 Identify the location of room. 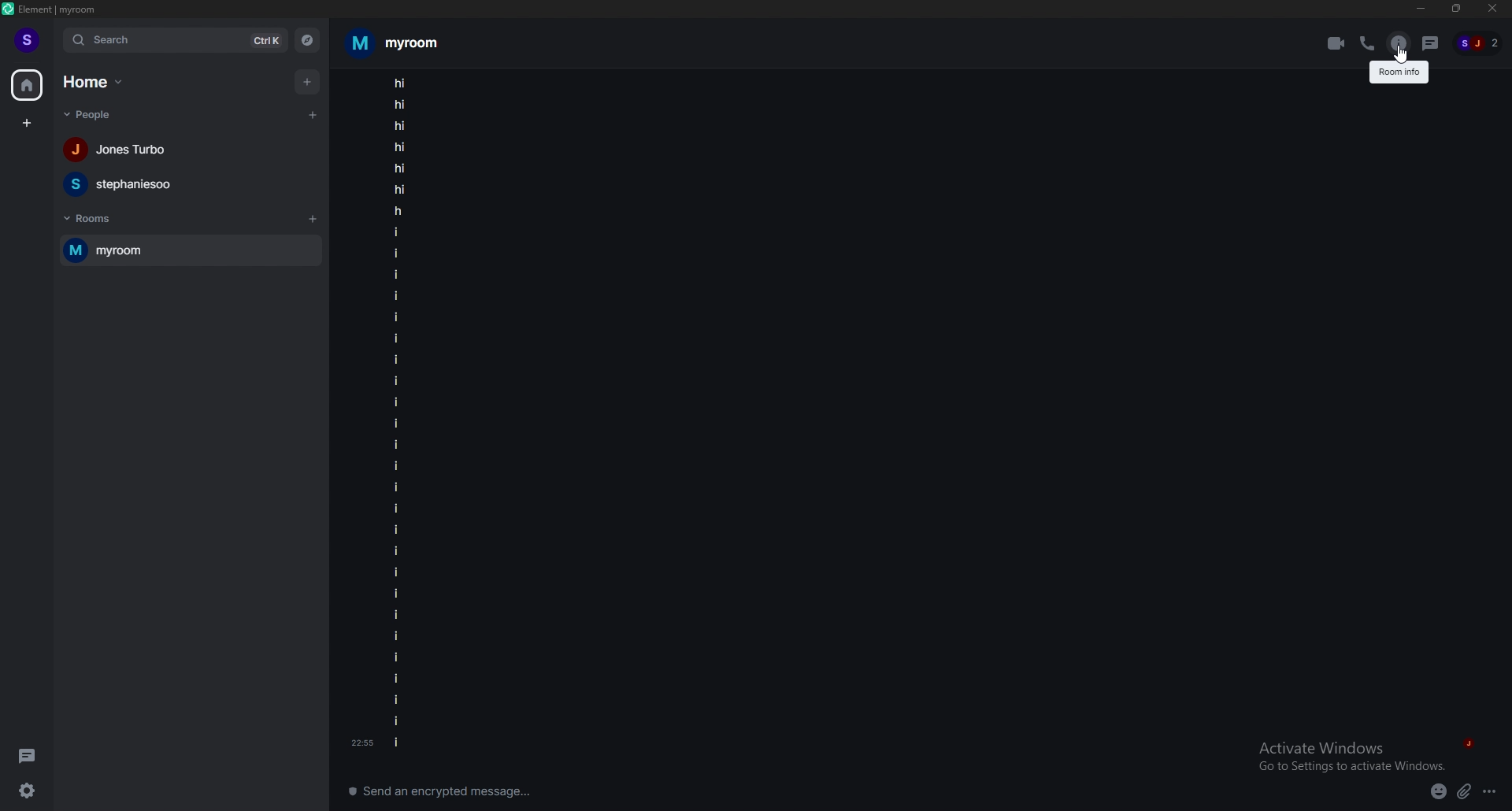
(190, 250).